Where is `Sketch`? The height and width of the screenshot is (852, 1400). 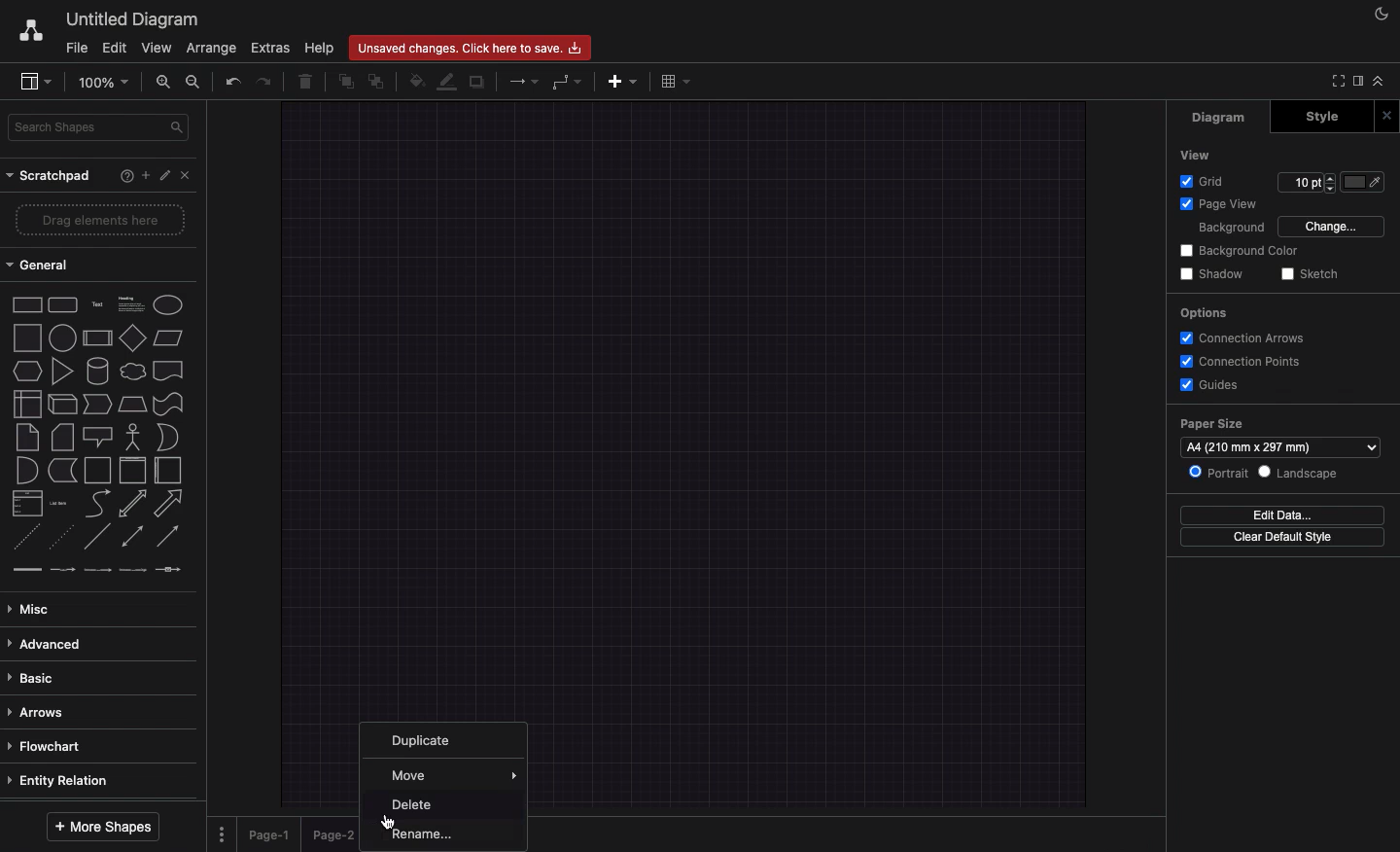 Sketch is located at coordinates (1313, 274).